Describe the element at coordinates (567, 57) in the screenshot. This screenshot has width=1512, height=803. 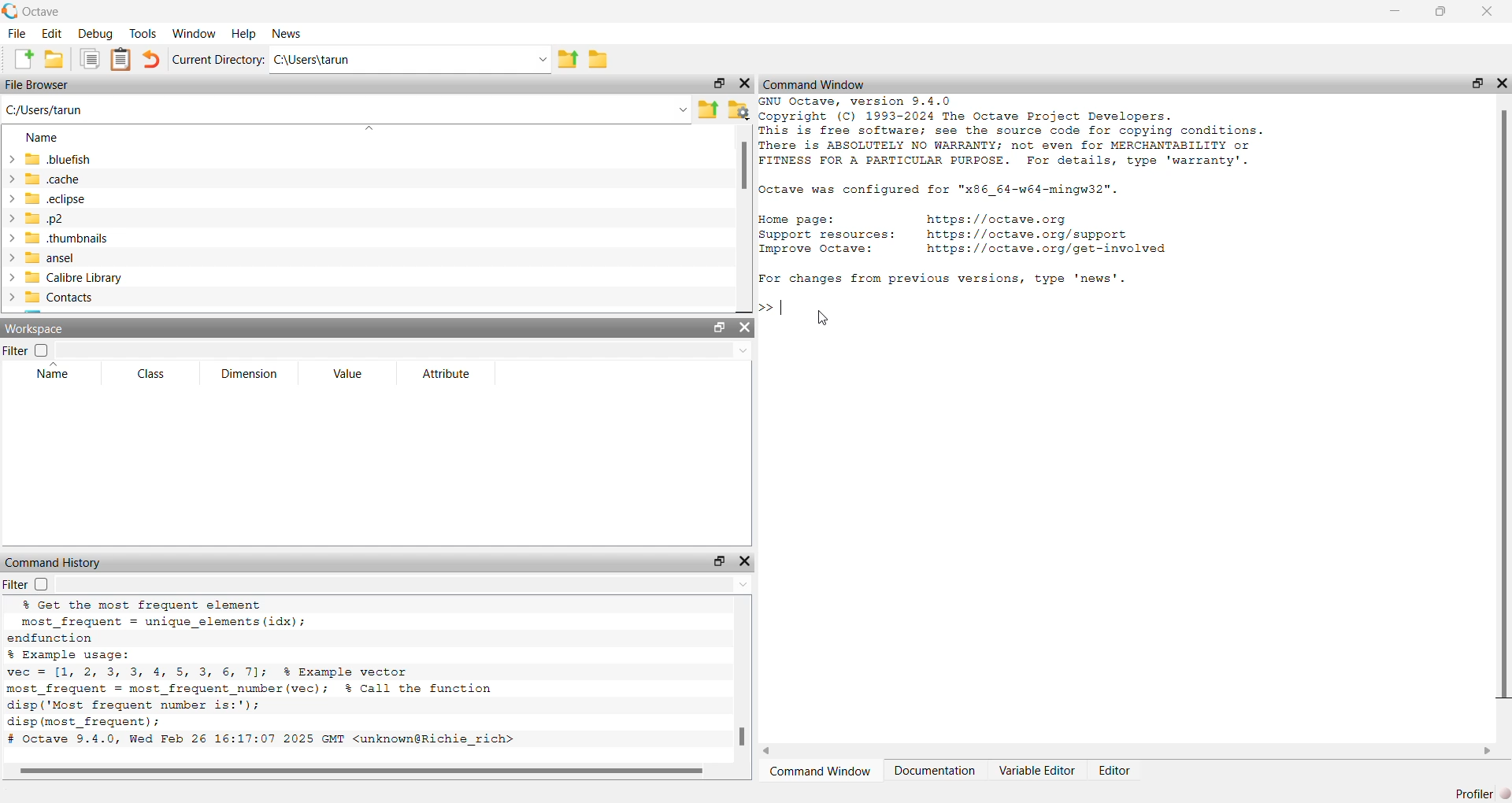
I see `One directory up` at that location.